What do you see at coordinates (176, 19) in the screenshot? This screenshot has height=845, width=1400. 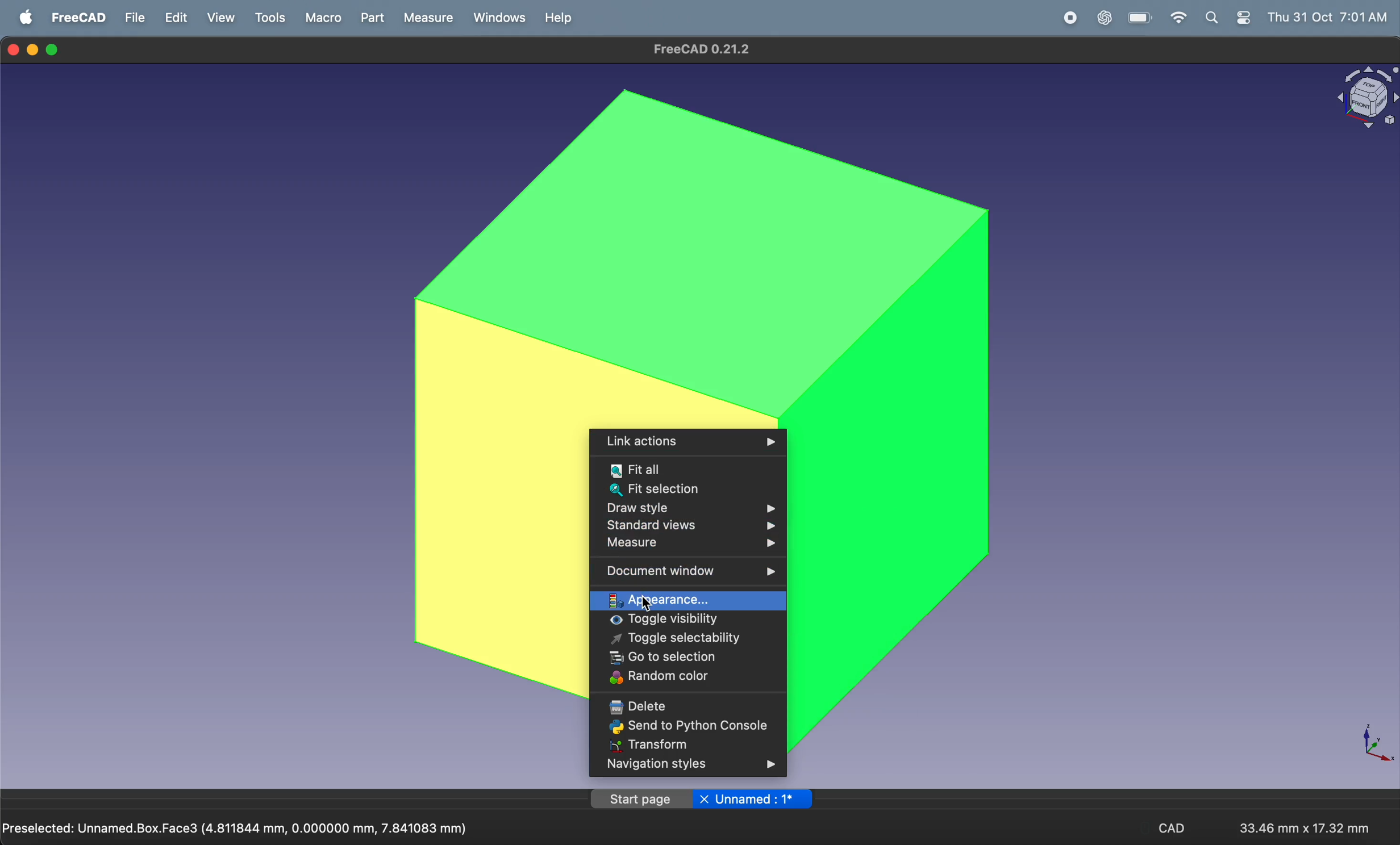 I see `edit` at bounding box center [176, 19].